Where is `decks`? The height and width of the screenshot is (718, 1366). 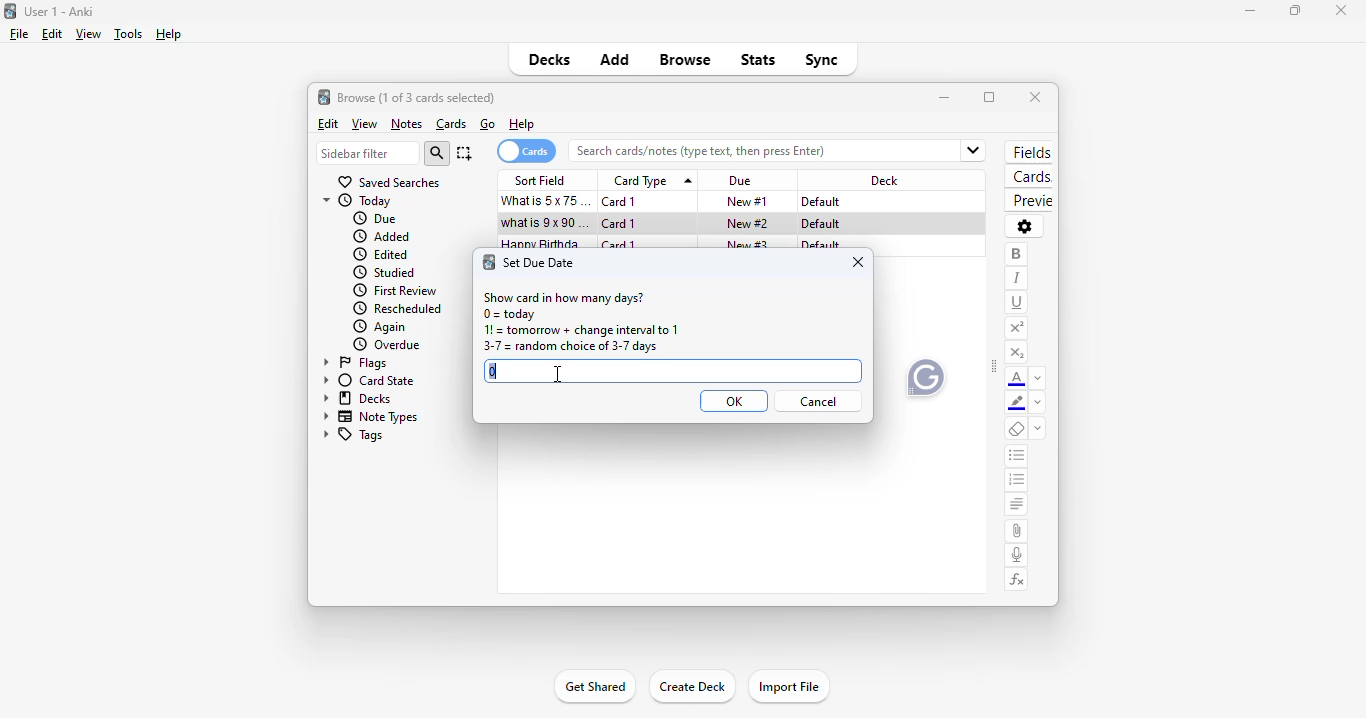
decks is located at coordinates (355, 398).